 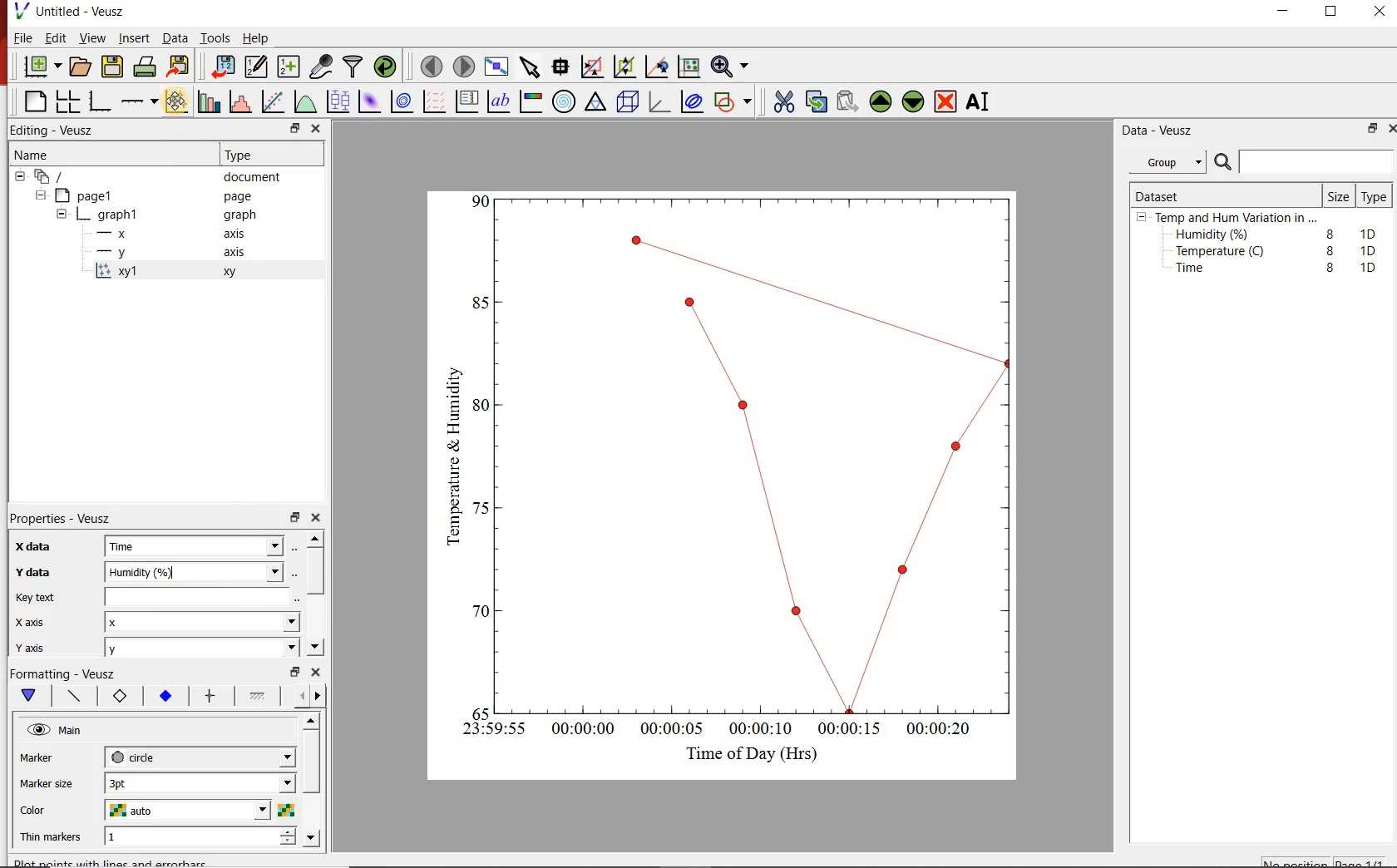 What do you see at coordinates (1164, 194) in the screenshot?
I see `Dataset` at bounding box center [1164, 194].